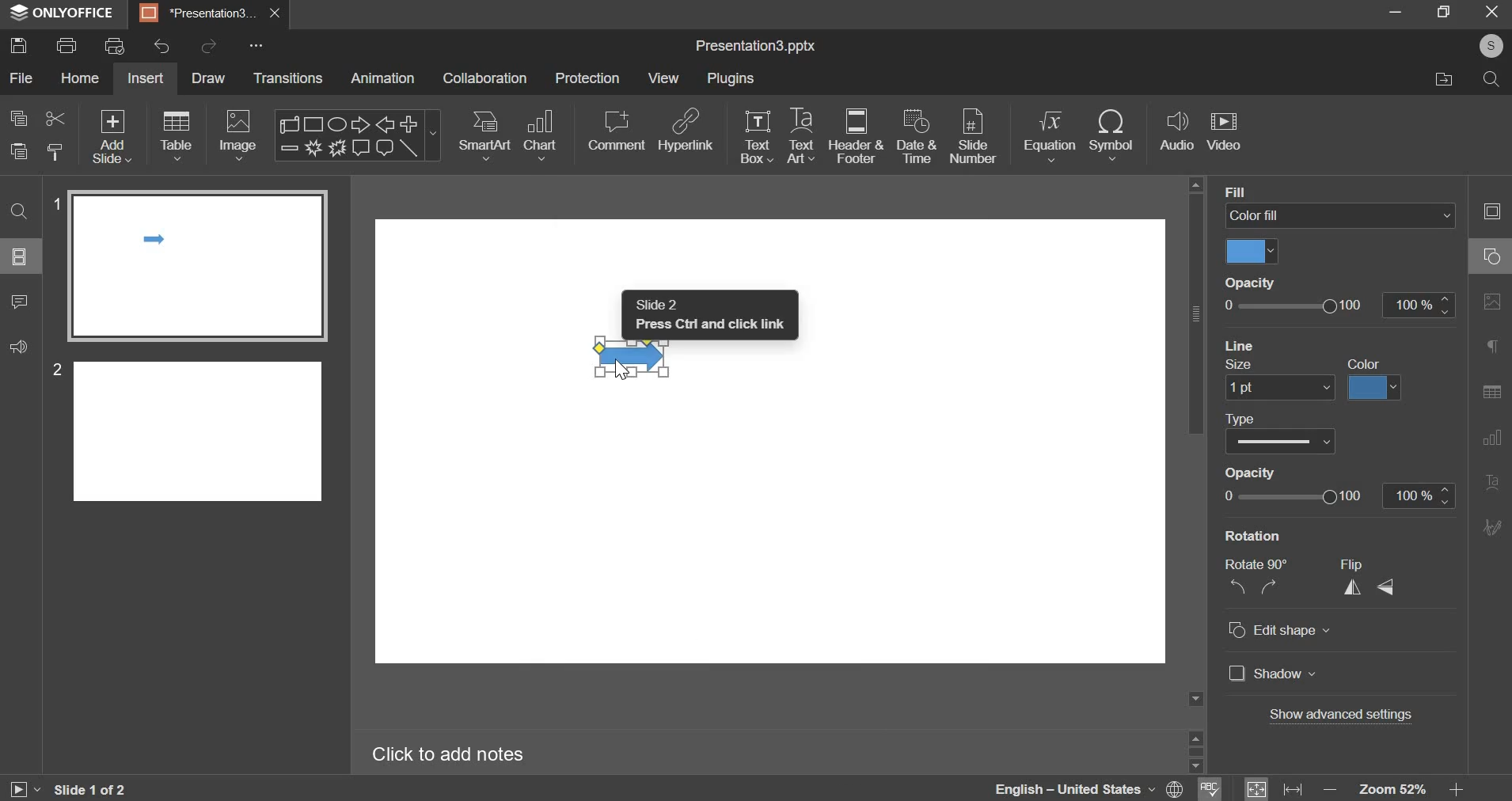  What do you see at coordinates (1331, 790) in the screenshot?
I see `decrease zoom` at bounding box center [1331, 790].